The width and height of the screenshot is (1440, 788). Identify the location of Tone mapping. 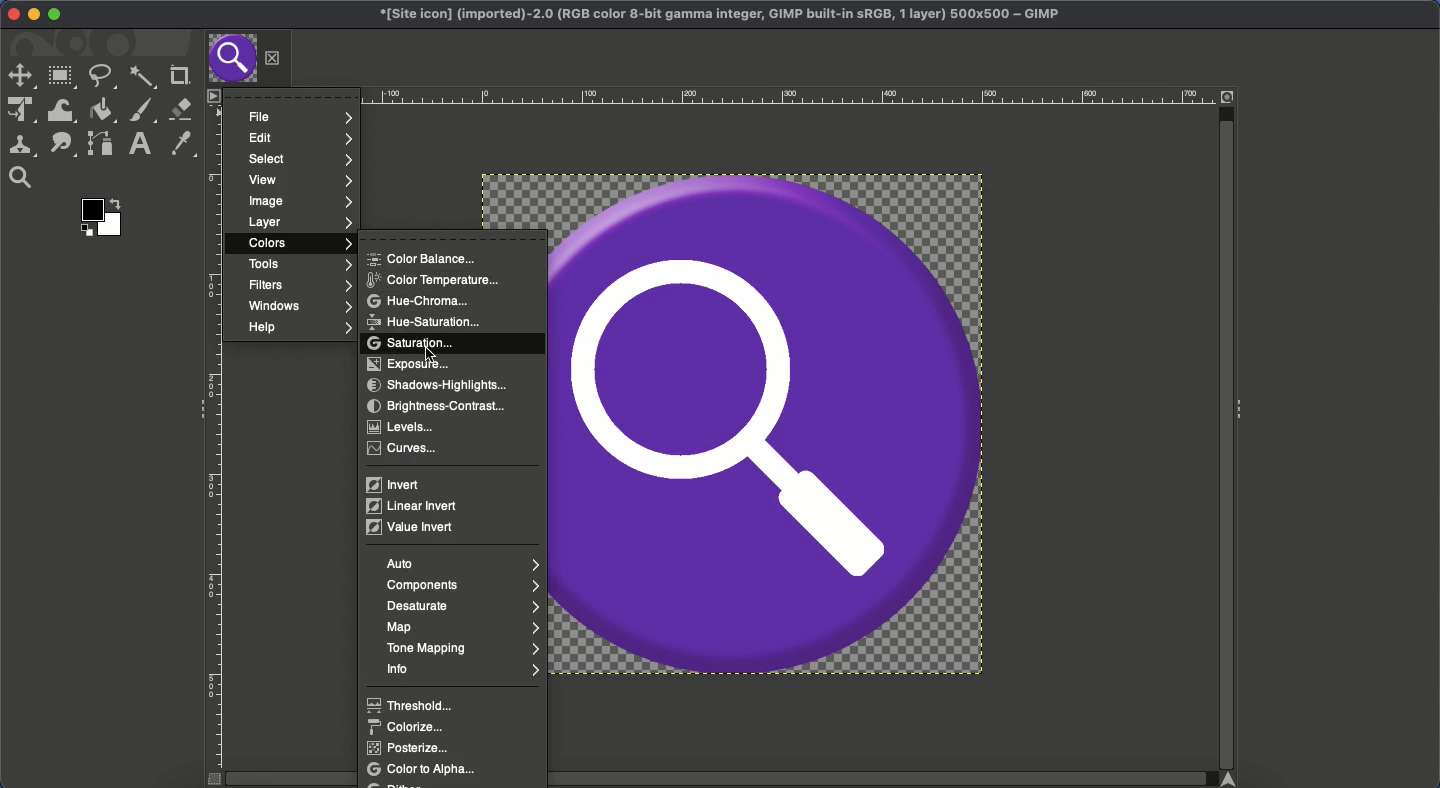
(463, 650).